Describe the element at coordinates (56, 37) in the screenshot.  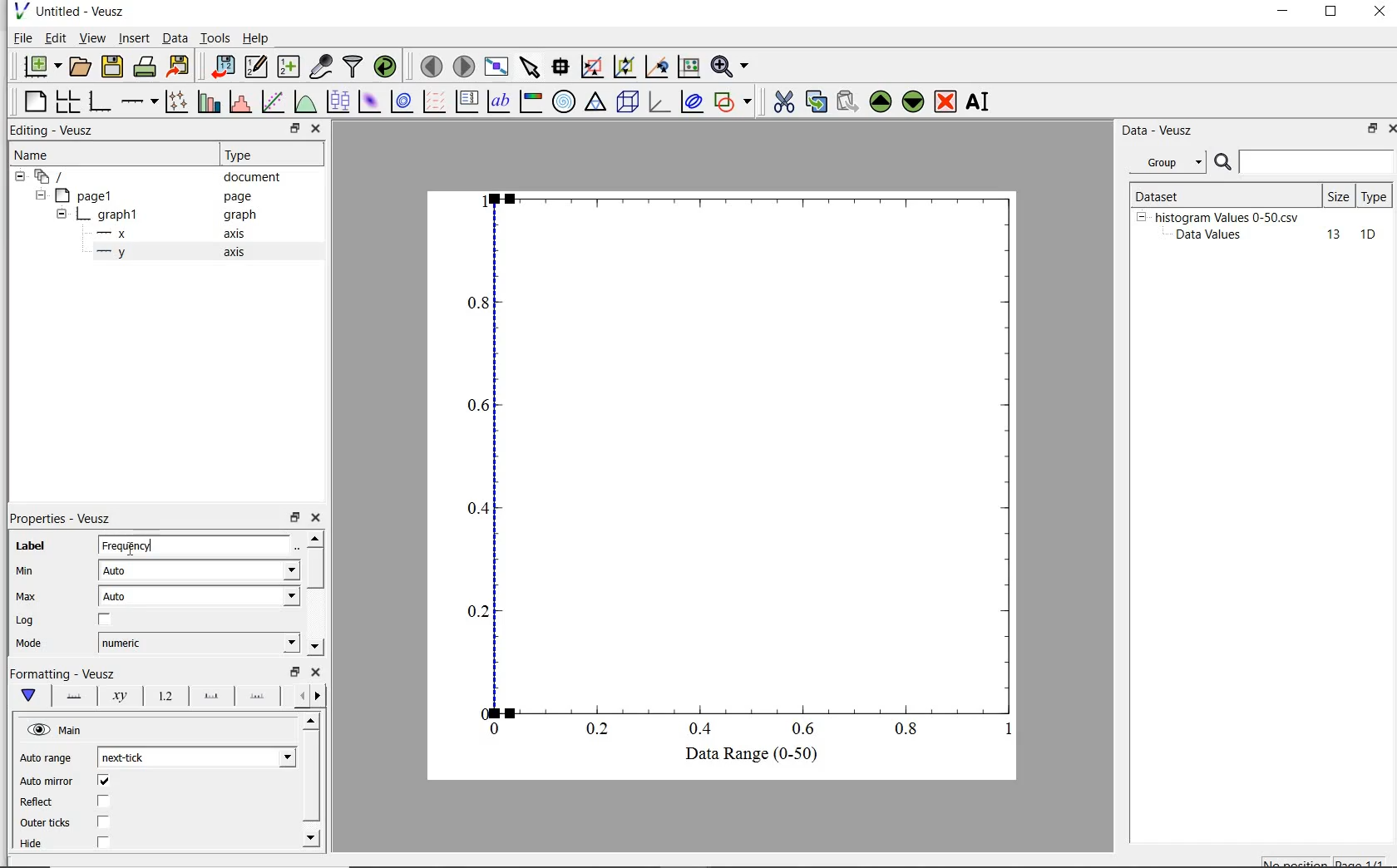
I see `edit` at that location.